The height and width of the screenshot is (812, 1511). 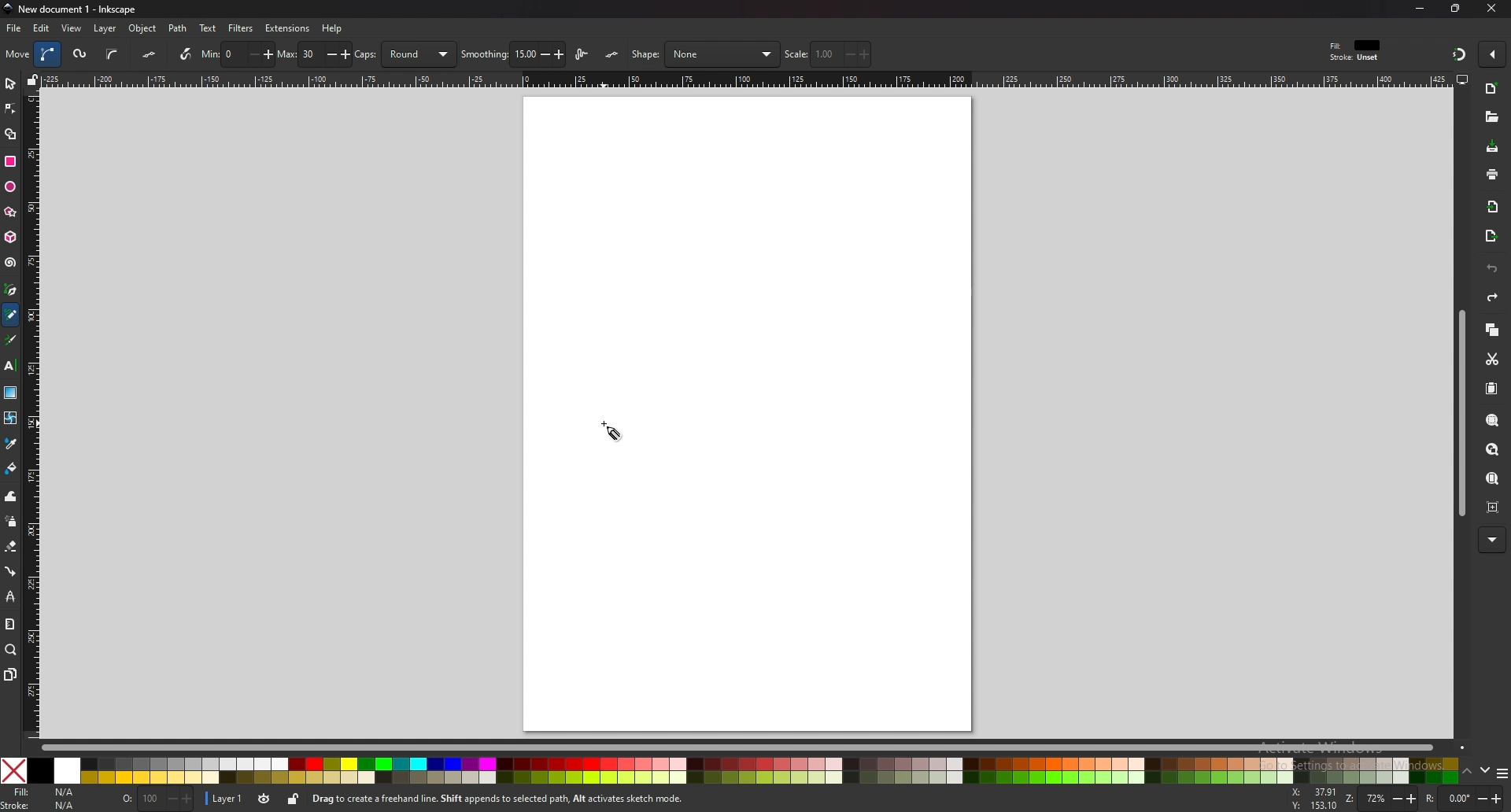 I want to click on view, so click(x=73, y=28).